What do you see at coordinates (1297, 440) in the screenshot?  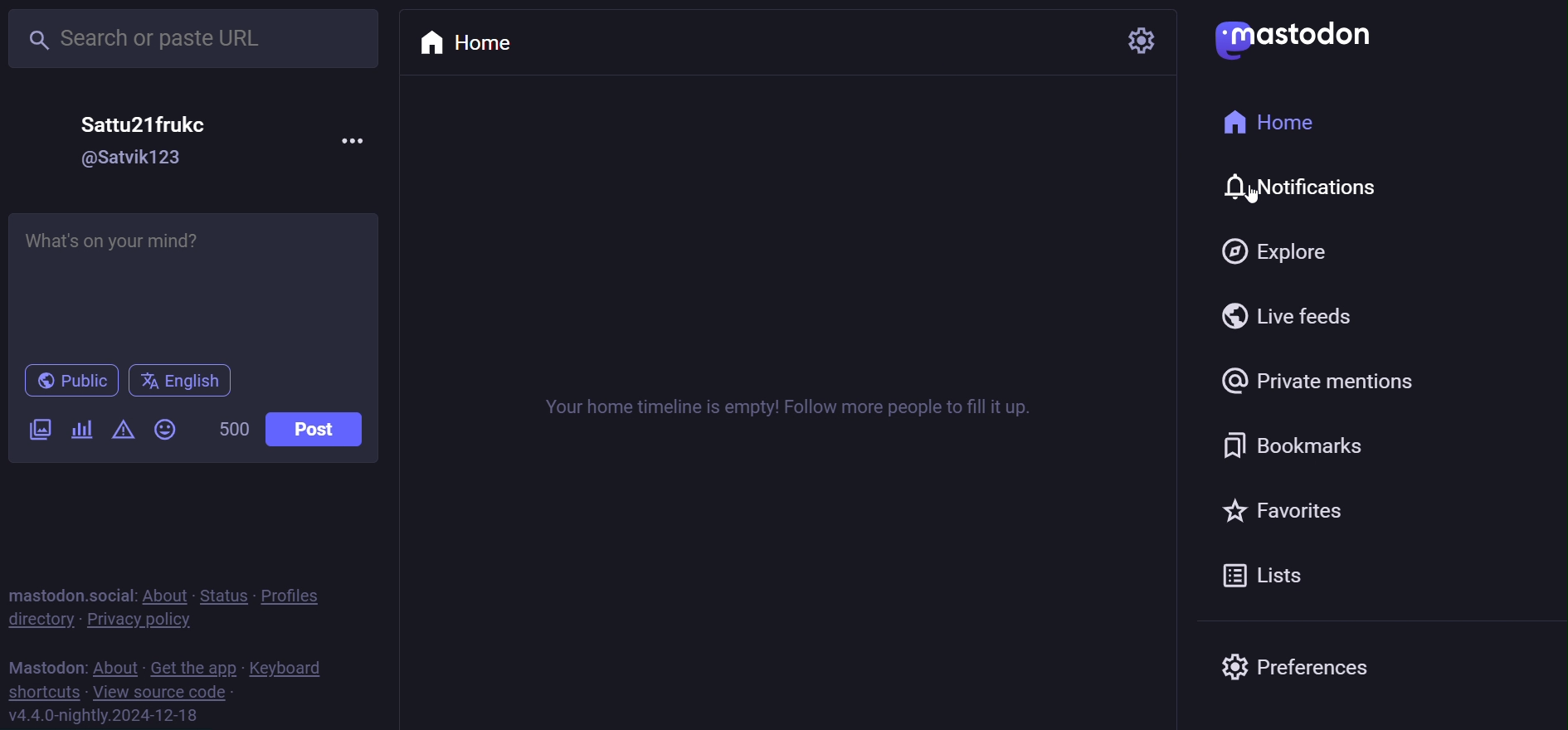 I see `bookmark` at bounding box center [1297, 440].